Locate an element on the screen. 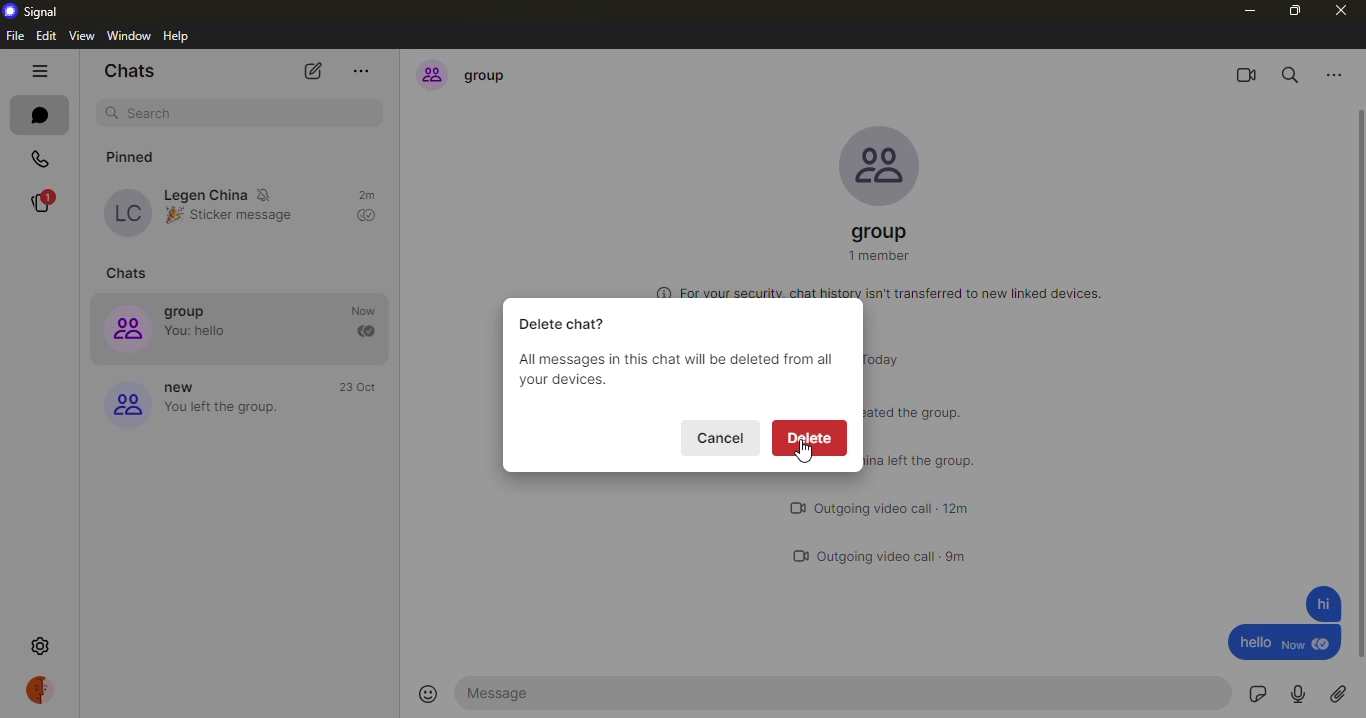 The height and width of the screenshot is (718, 1366). delete chat? is located at coordinates (568, 323).